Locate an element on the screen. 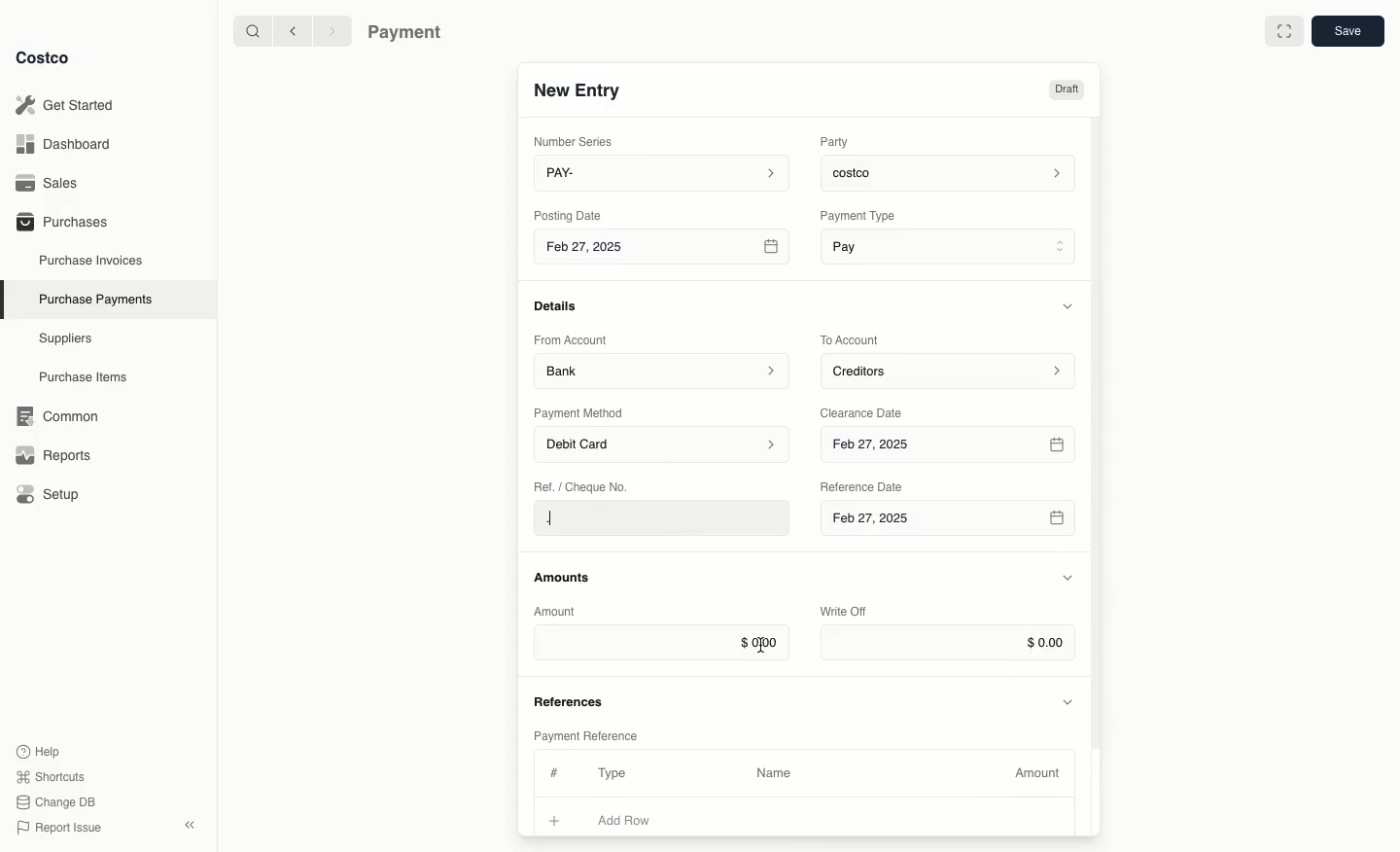  Sales is located at coordinates (53, 183).